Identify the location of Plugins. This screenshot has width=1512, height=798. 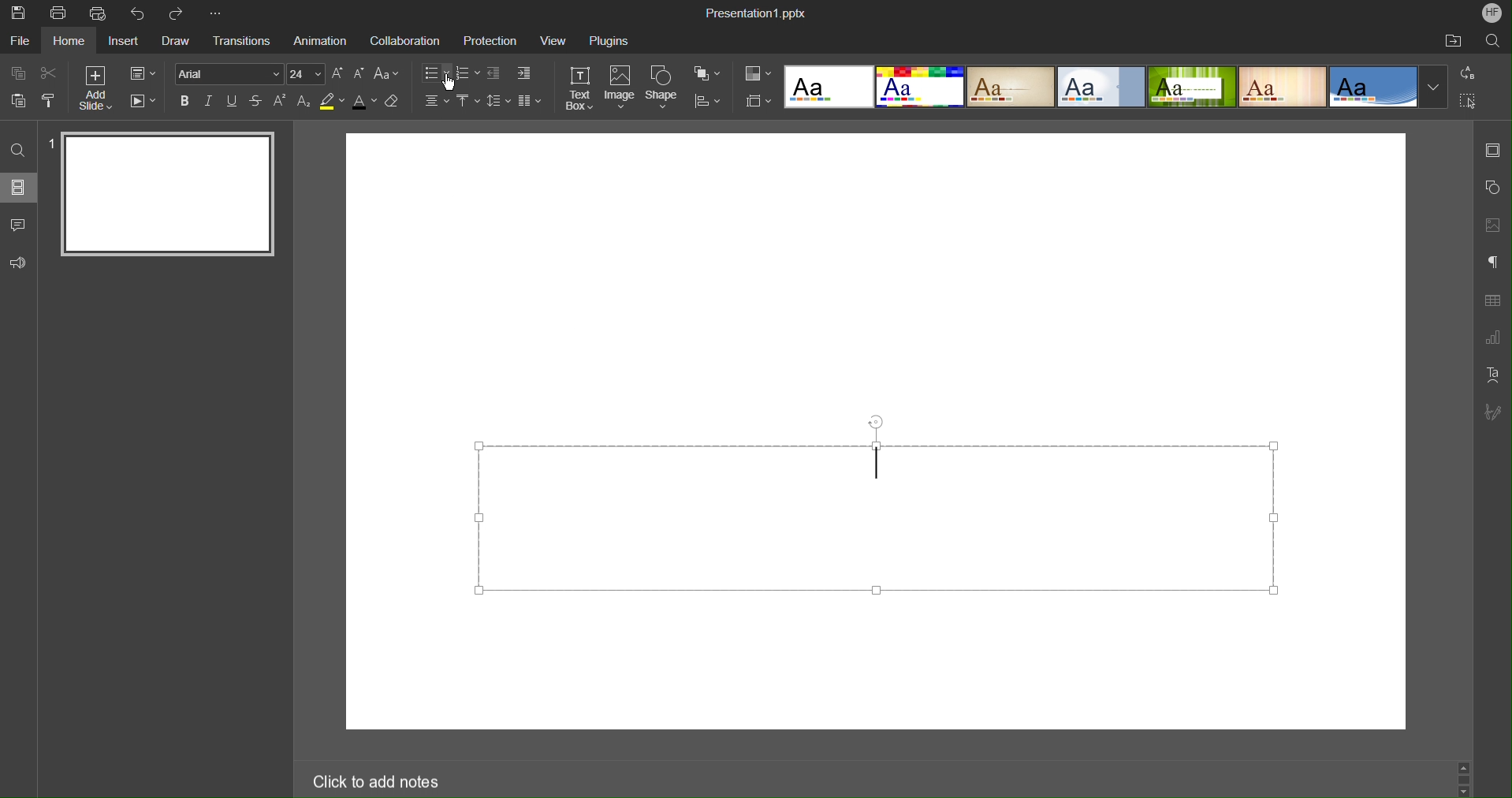
(607, 40).